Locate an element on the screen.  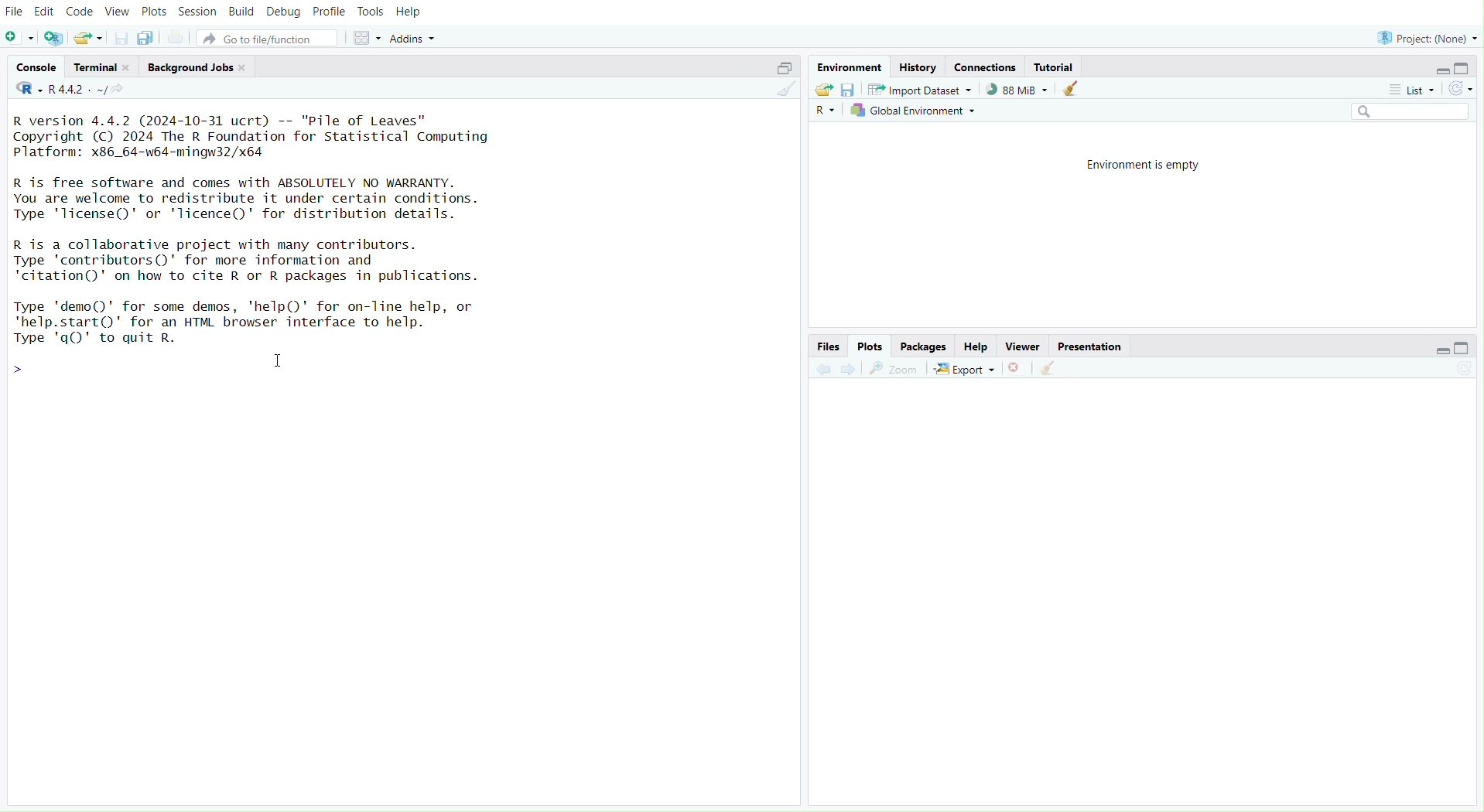
Global Environment is located at coordinates (916, 111).